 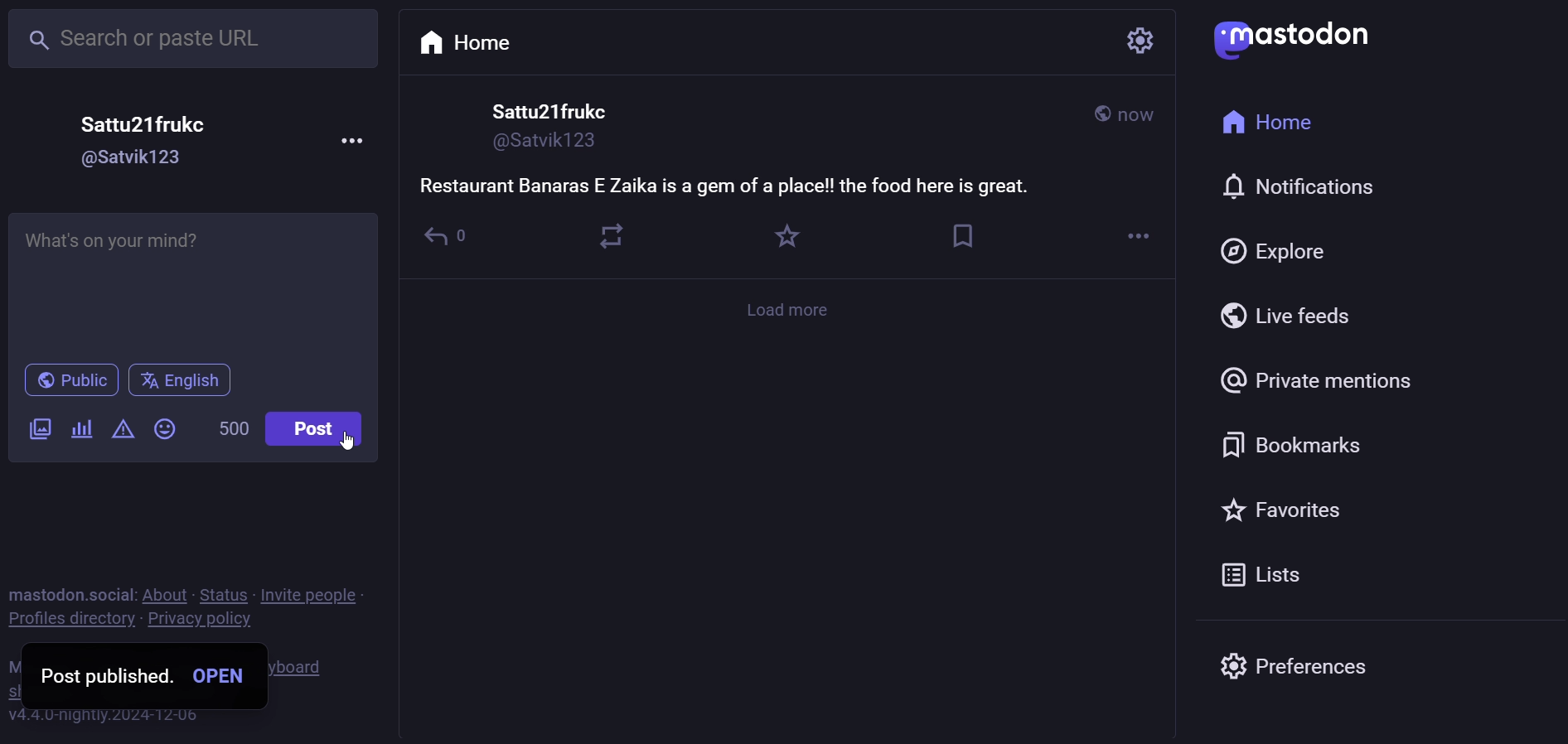 What do you see at coordinates (1319, 382) in the screenshot?
I see `private mention` at bounding box center [1319, 382].